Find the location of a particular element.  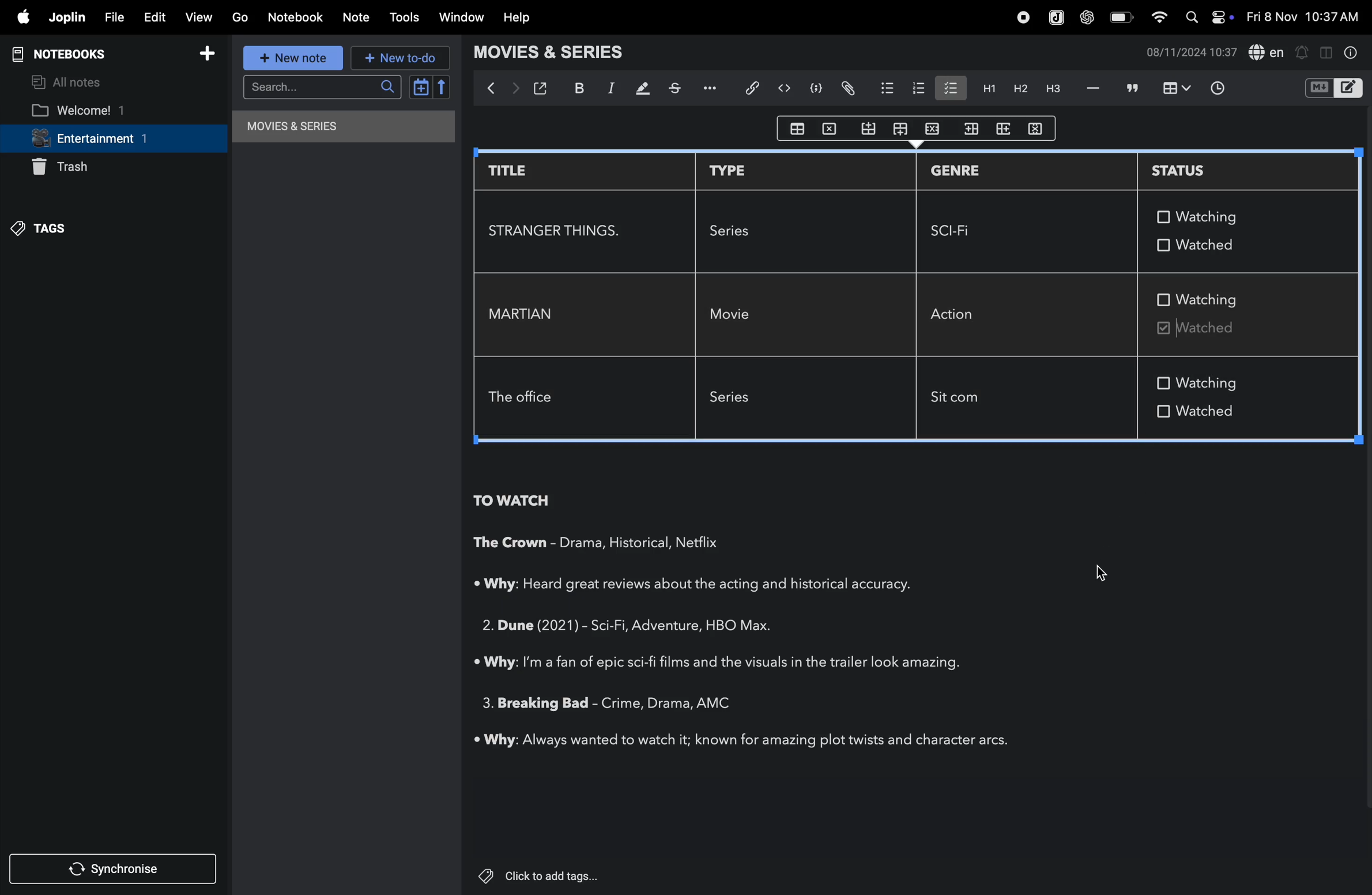

watched is located at coordinates (1215, 244).